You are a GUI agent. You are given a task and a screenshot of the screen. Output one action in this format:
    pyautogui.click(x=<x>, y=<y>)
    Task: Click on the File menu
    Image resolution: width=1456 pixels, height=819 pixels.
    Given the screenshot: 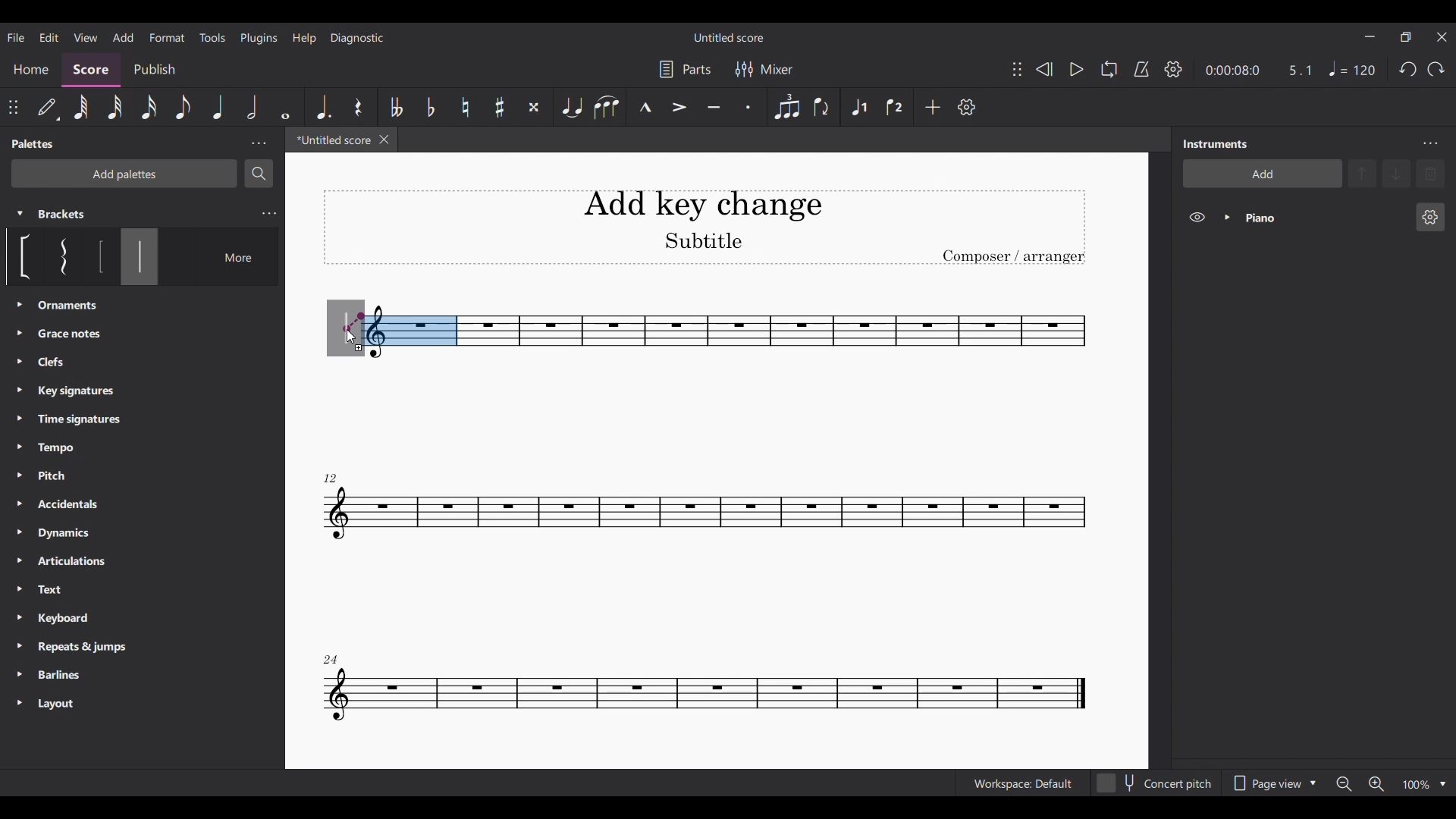 What is the action you would take?
    pyautogui.click(x=16, y=37)
    